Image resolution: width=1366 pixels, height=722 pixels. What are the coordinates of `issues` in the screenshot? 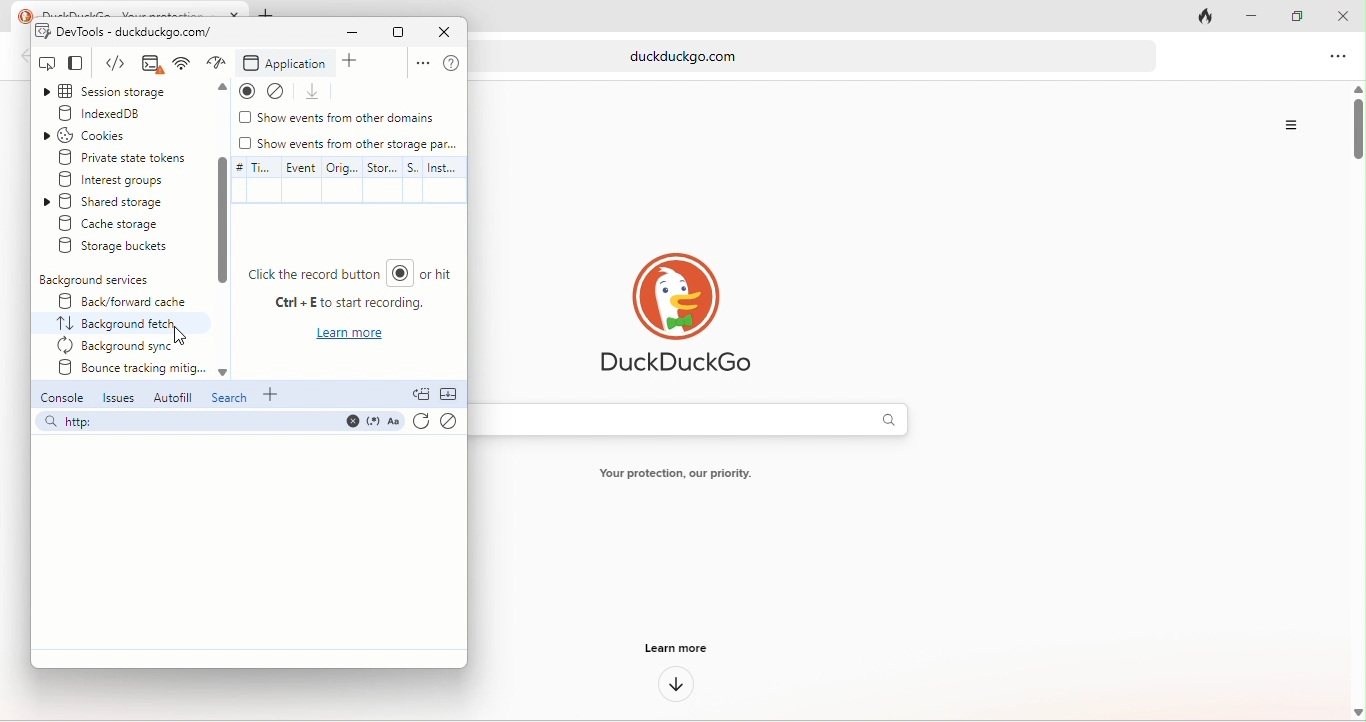 It's located at (119, 399).